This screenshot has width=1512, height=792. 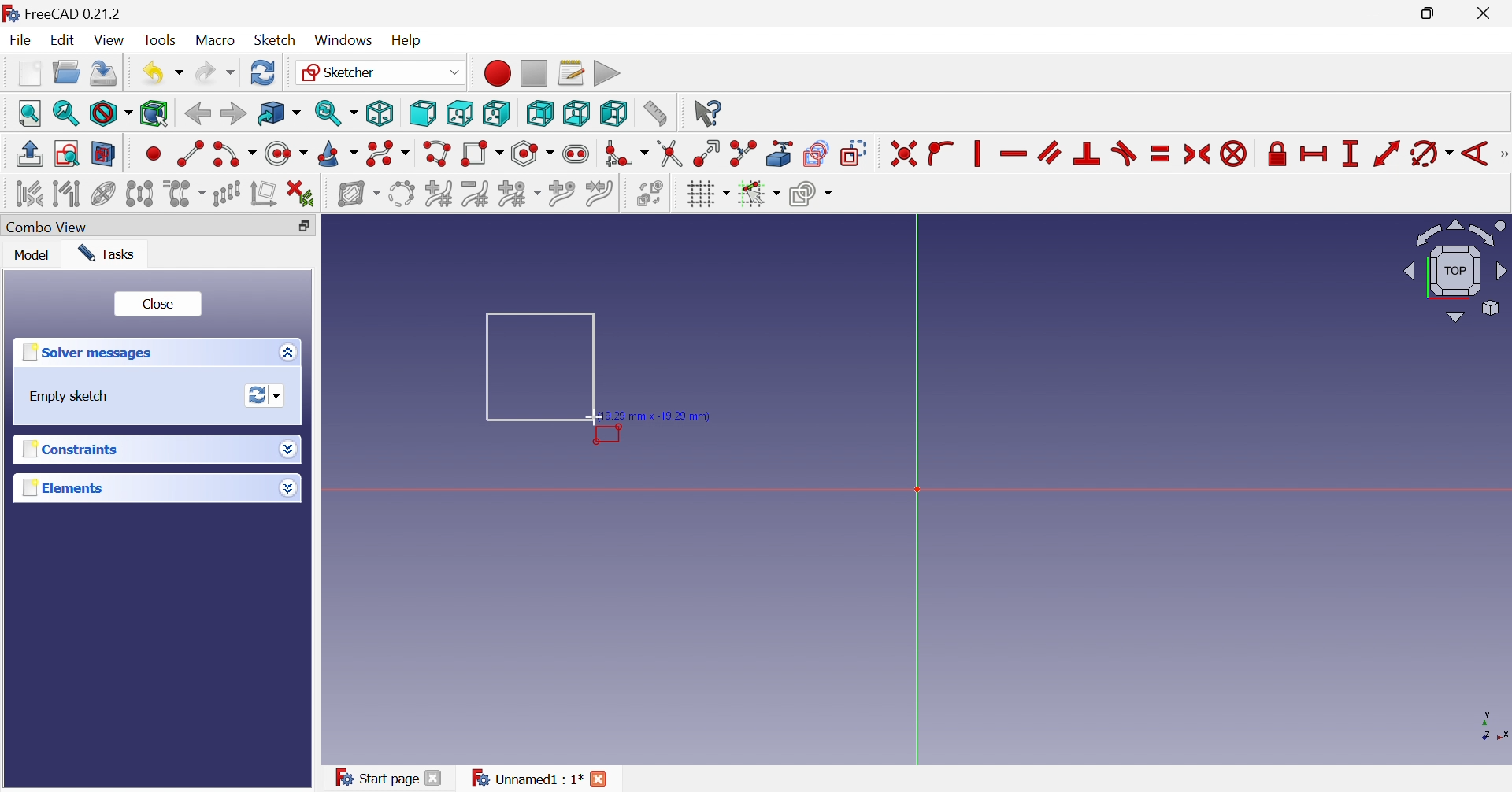 What do you see at coordinates (28, 154) in the screenshot?
I see `Leave sketch` at bounding box center [28, 154].